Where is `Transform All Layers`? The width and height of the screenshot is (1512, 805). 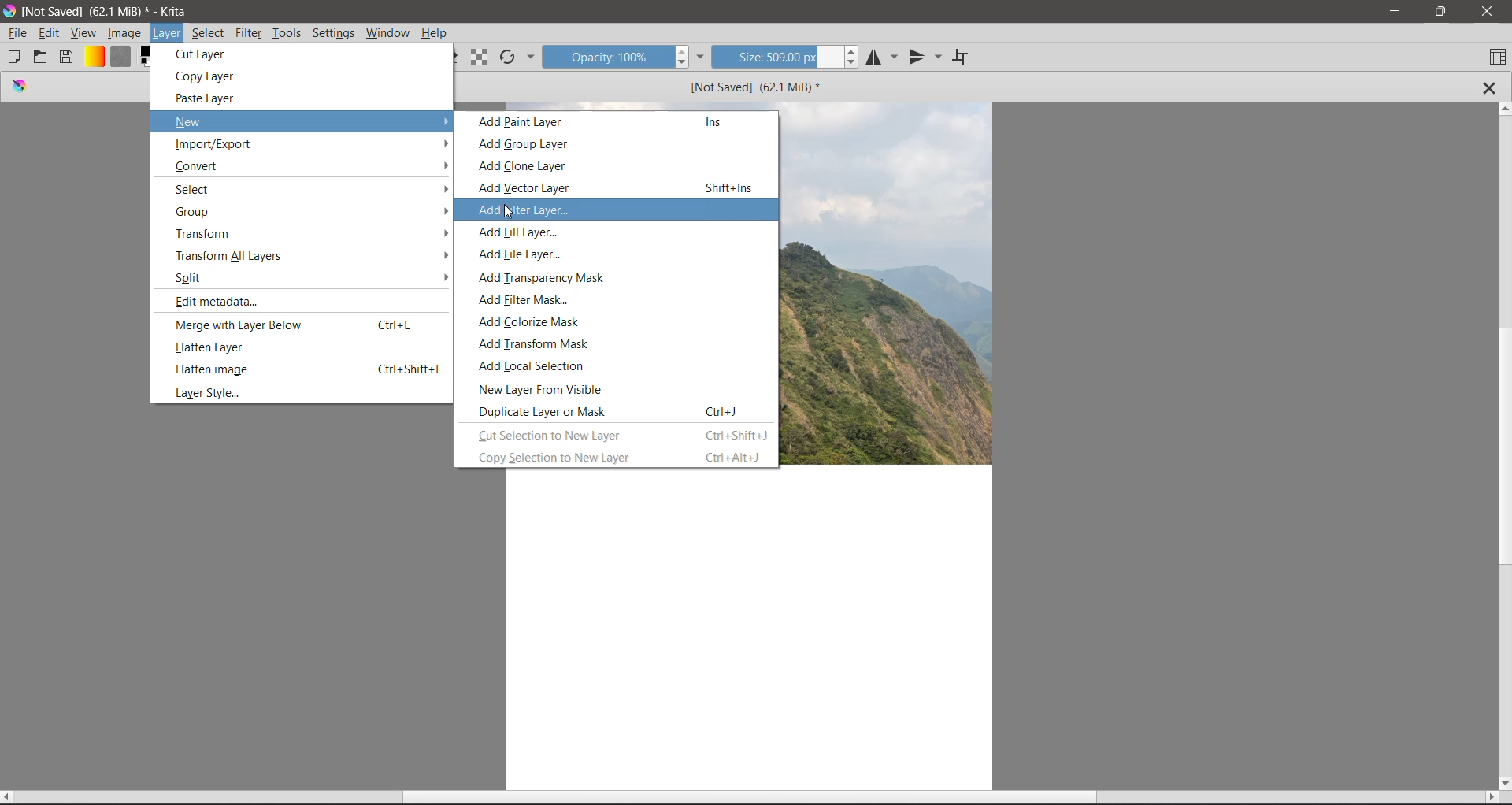 Transform All Layers is located at coordinates (309, 254).